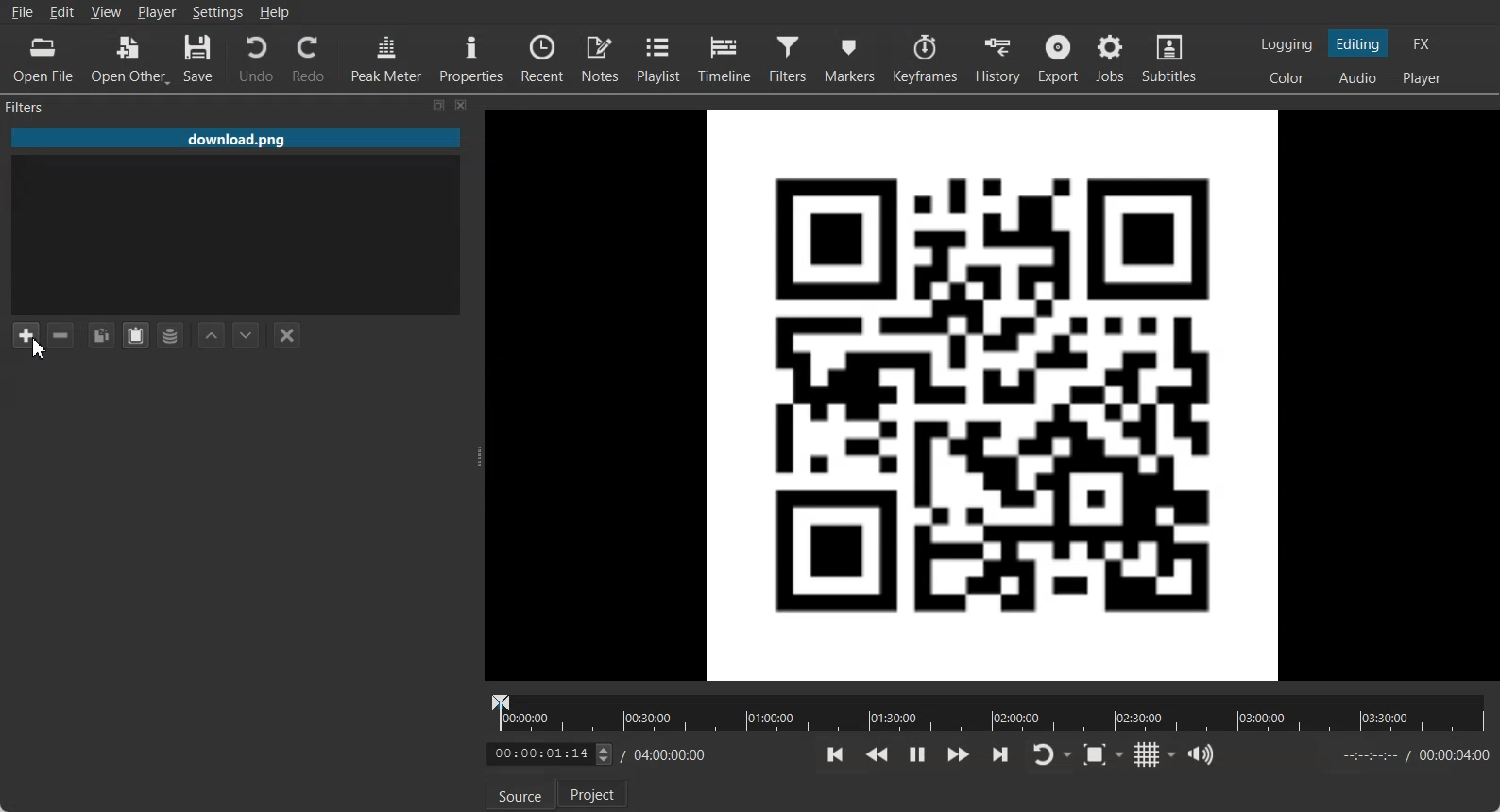 This screenshot has width=1500, height=812. I want to click on Show the volume control, so click(1201, 755).